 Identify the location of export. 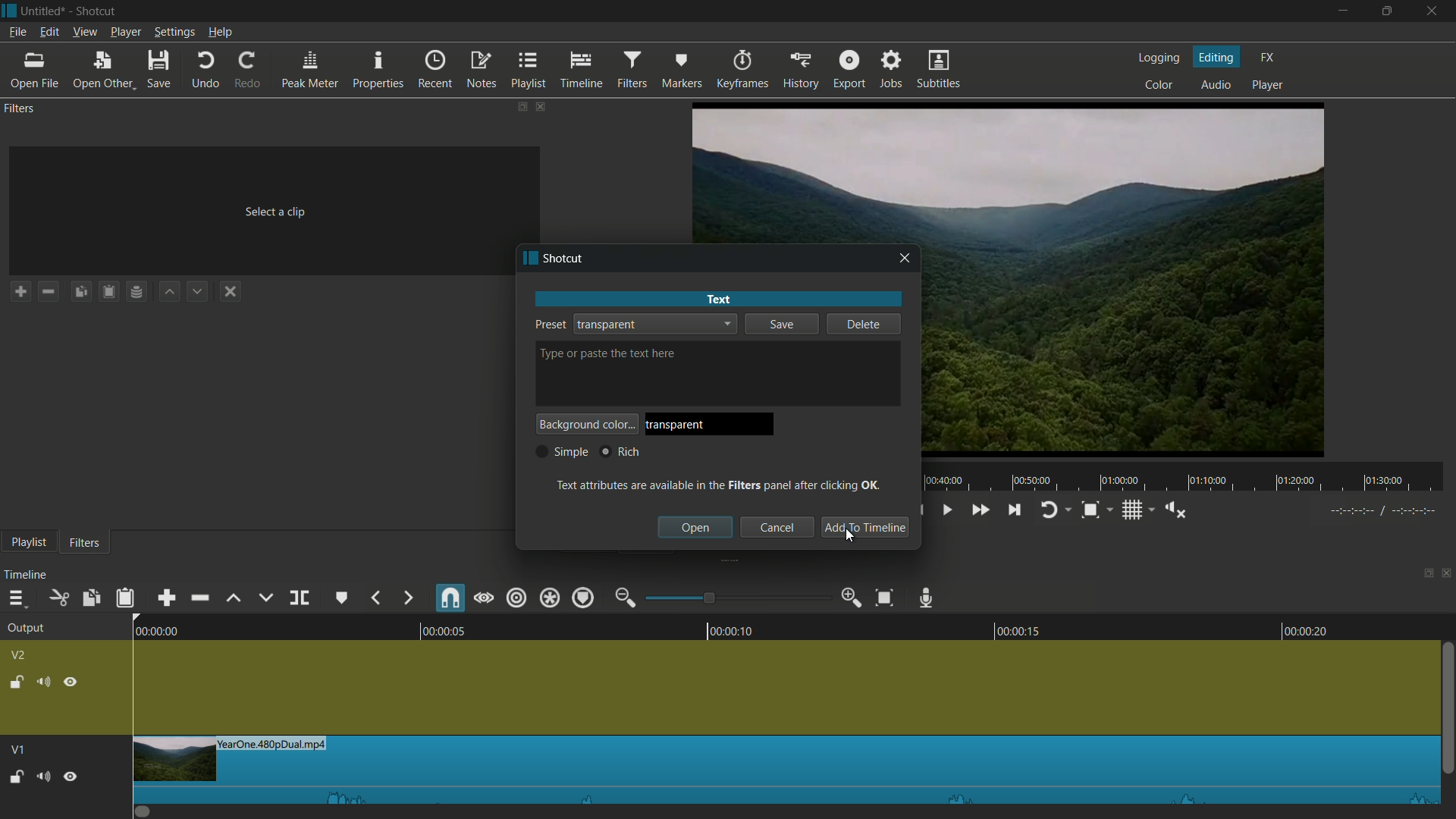
(850, 70).